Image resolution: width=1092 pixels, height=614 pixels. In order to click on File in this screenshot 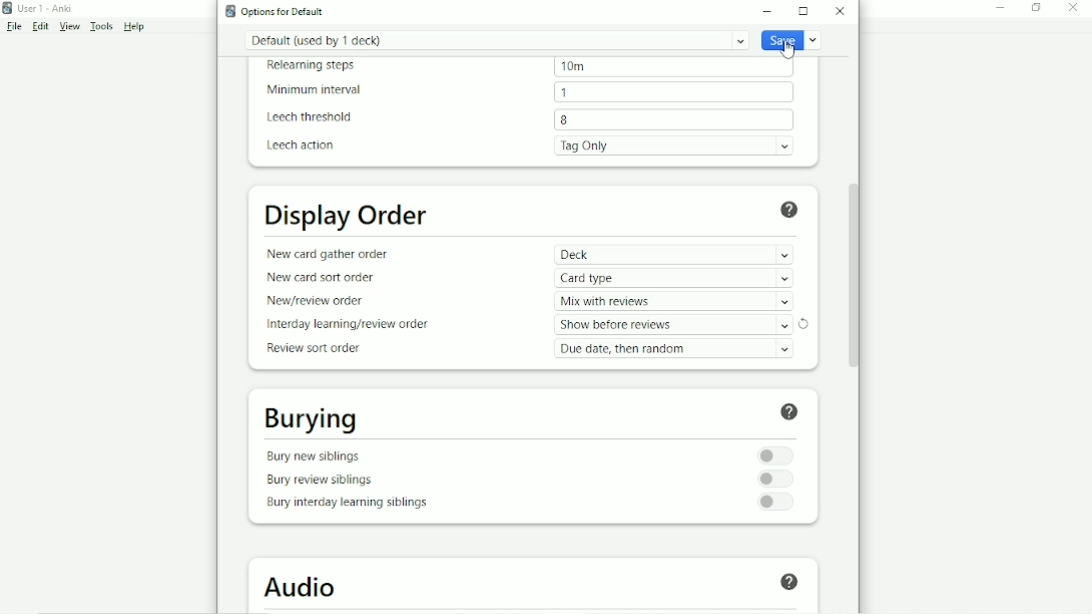, I will do `click(14, 26)`.